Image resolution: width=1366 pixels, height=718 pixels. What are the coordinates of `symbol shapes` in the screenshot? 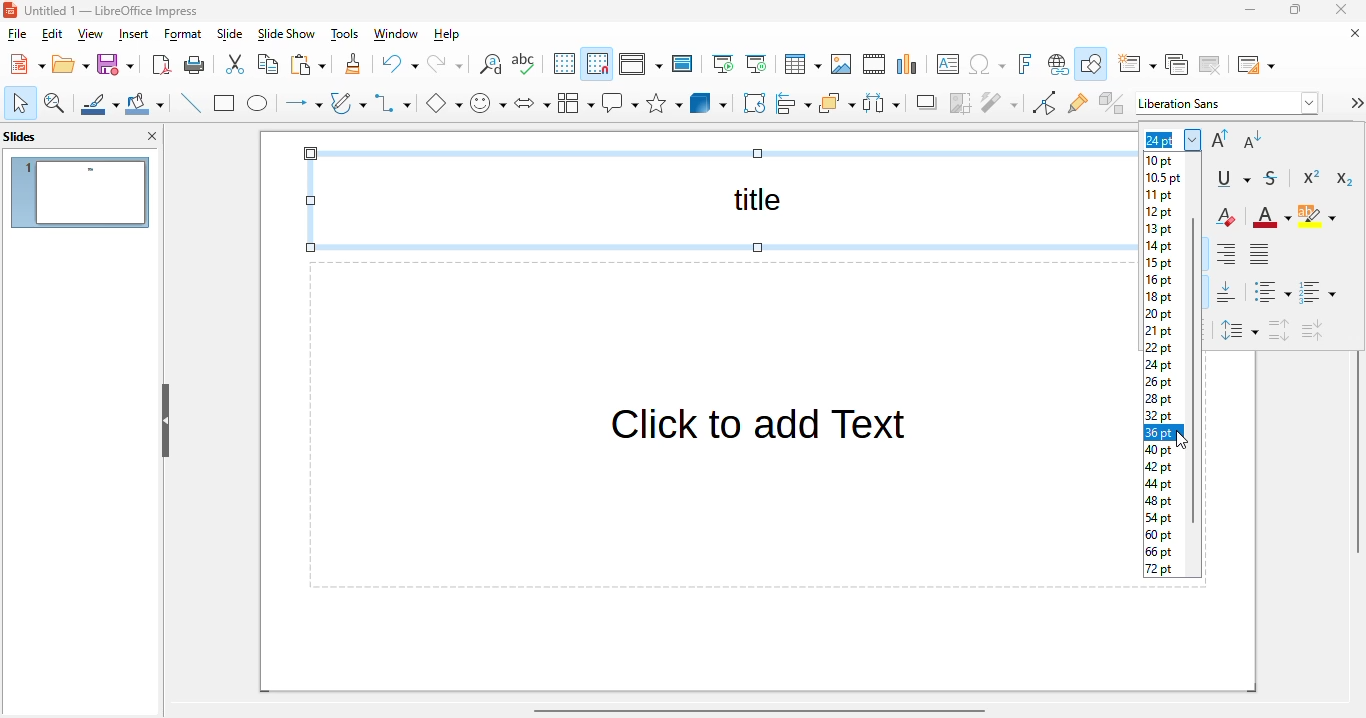 It's located at (488, 103).